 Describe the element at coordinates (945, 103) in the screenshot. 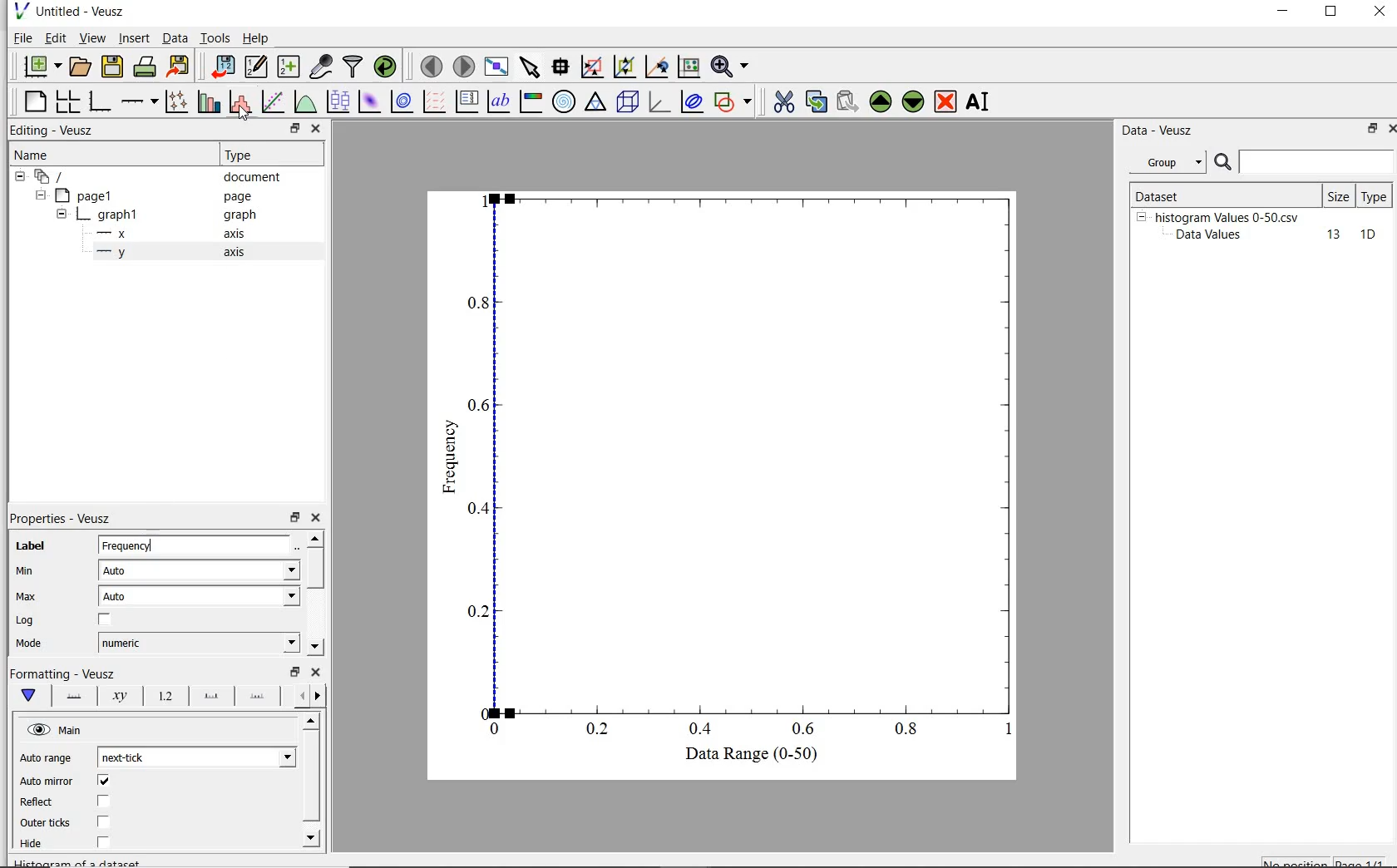

I see `remove the selected widget` at that location.